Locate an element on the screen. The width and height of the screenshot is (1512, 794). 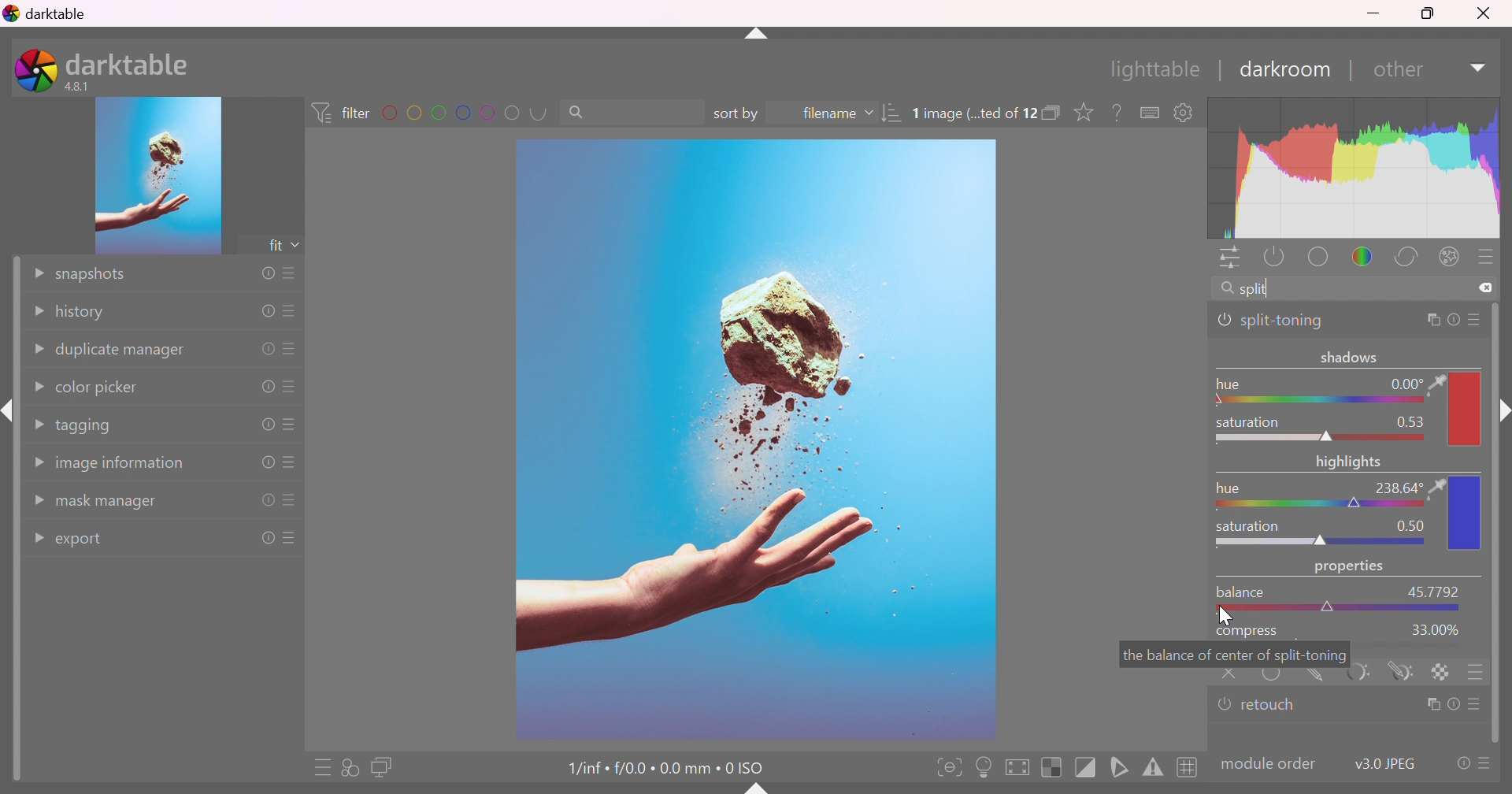
darktable is located at coordinates (35, 69).